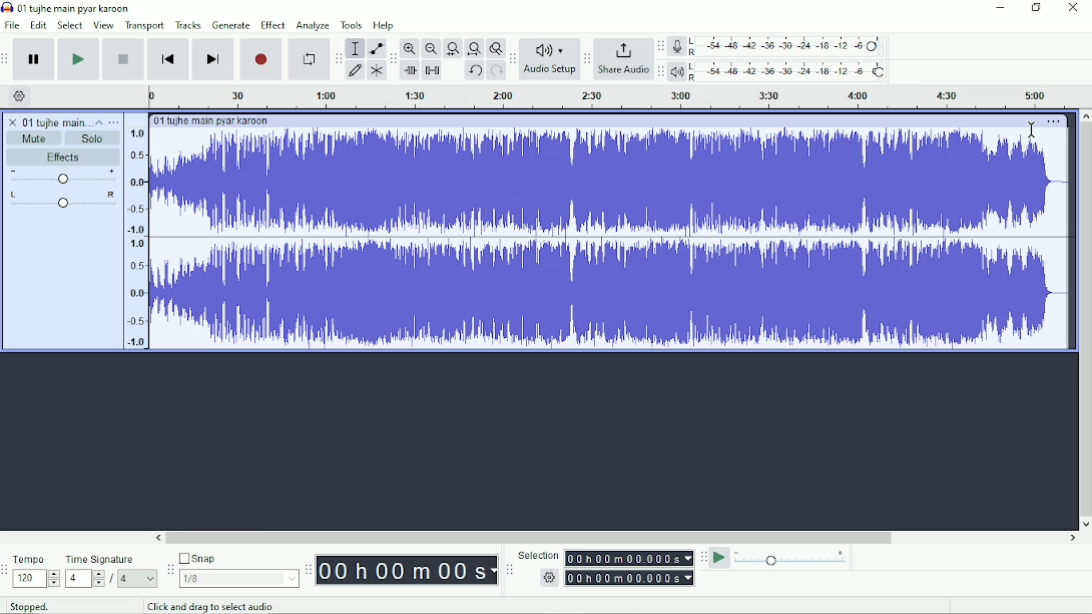 This screenshot has height=614, width=1092. I want to click on Horizontal scrollbar, so click(616, 538).